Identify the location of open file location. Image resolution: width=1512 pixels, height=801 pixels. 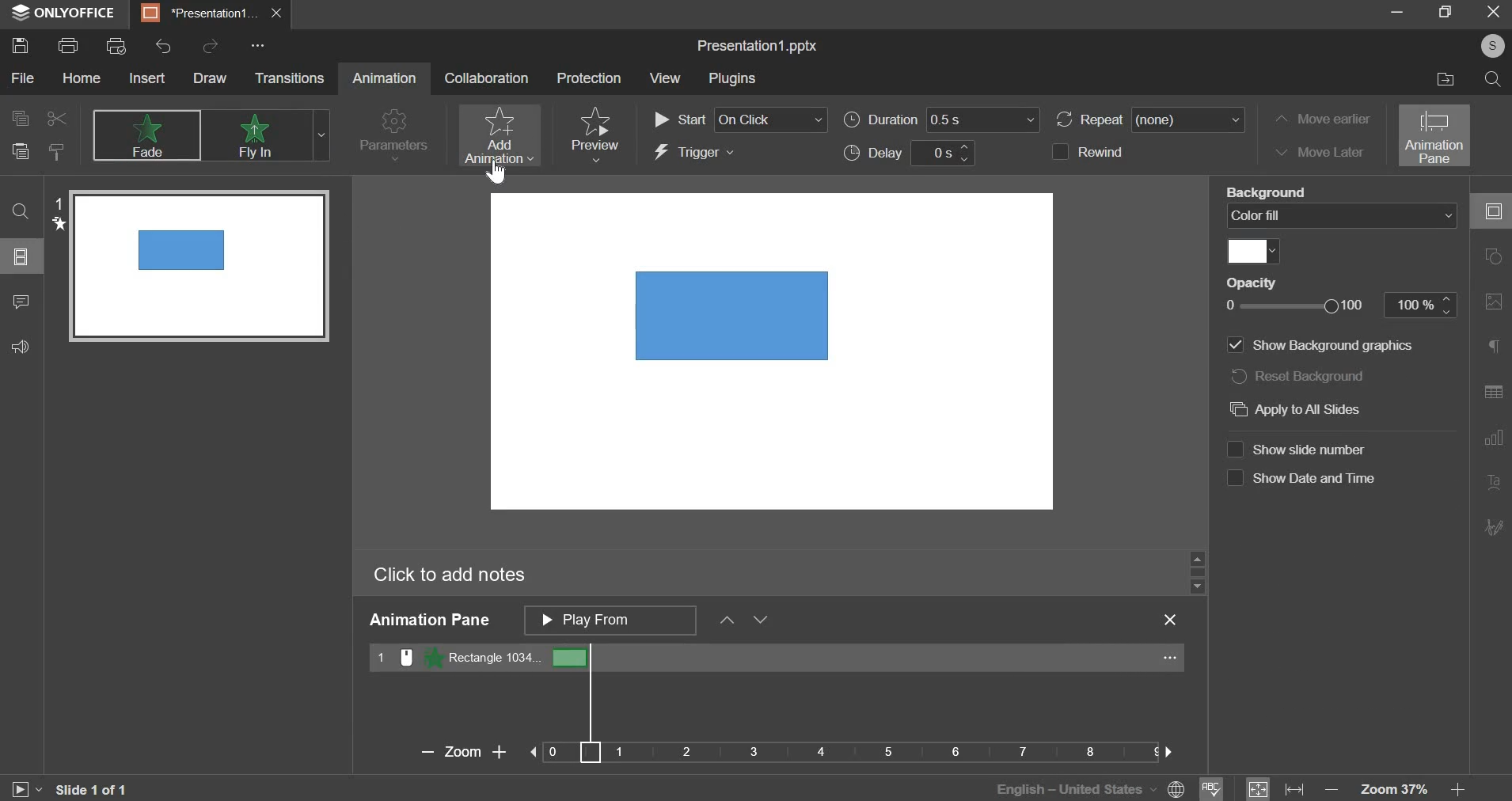
(1441, 82).